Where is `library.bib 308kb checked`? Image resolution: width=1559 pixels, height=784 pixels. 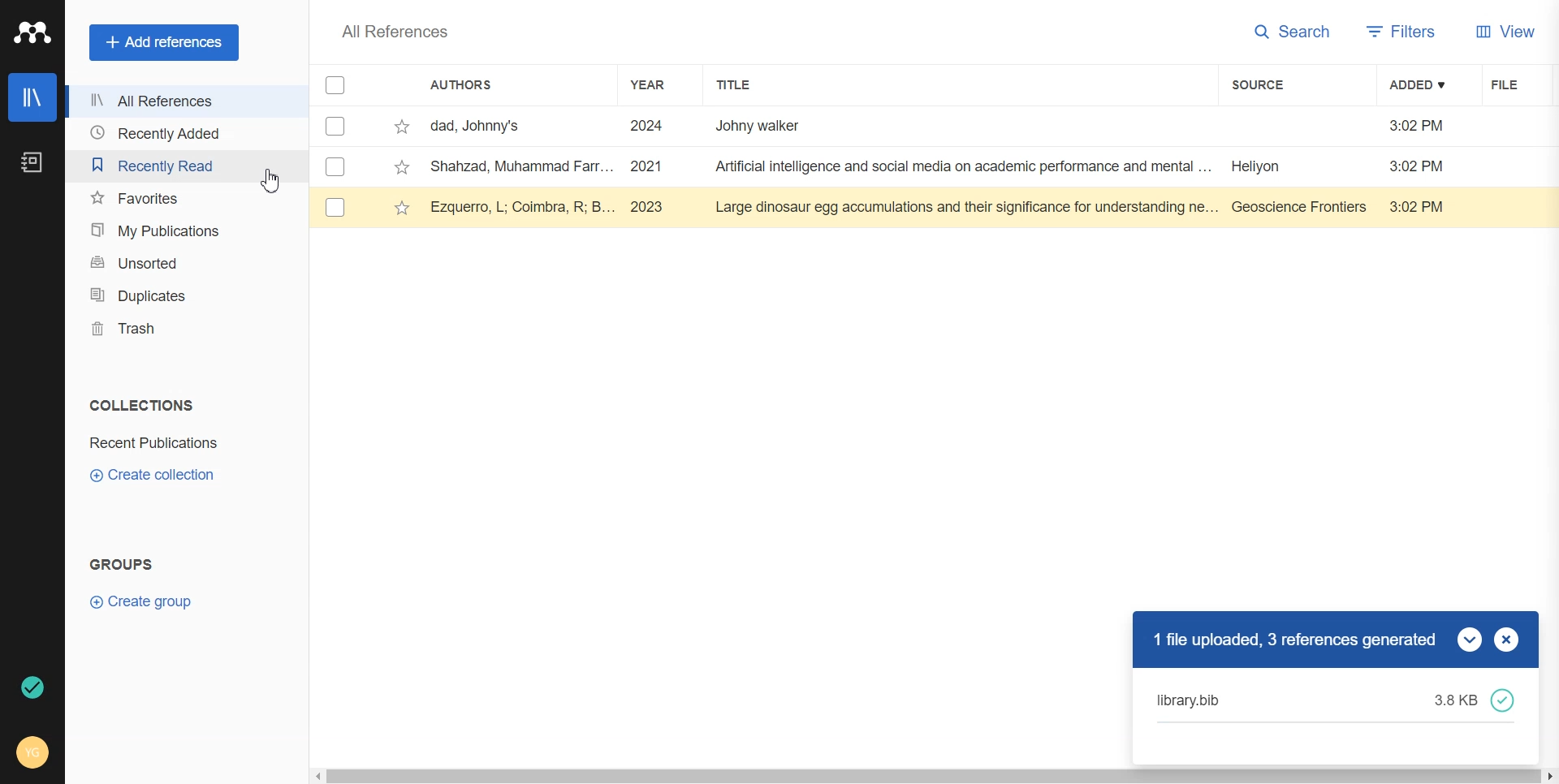 library.bib 308kb checked is located at coordinates (1337, 700).